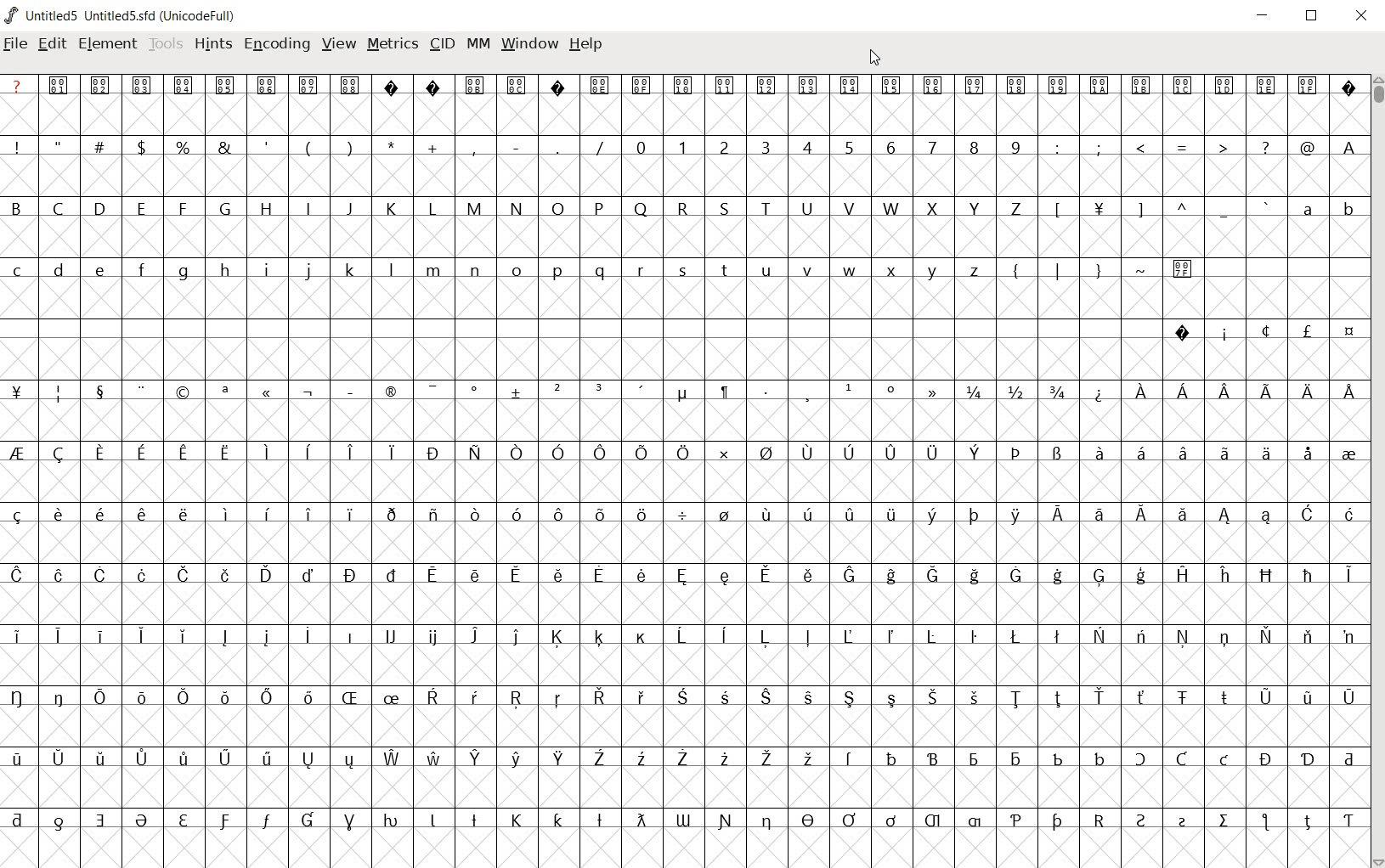 This screenshot has width=1385, height=868. What do you see at coordinates (599, 821) in the screenshot?
I see `Symbol` at bounding box center [599, 821].